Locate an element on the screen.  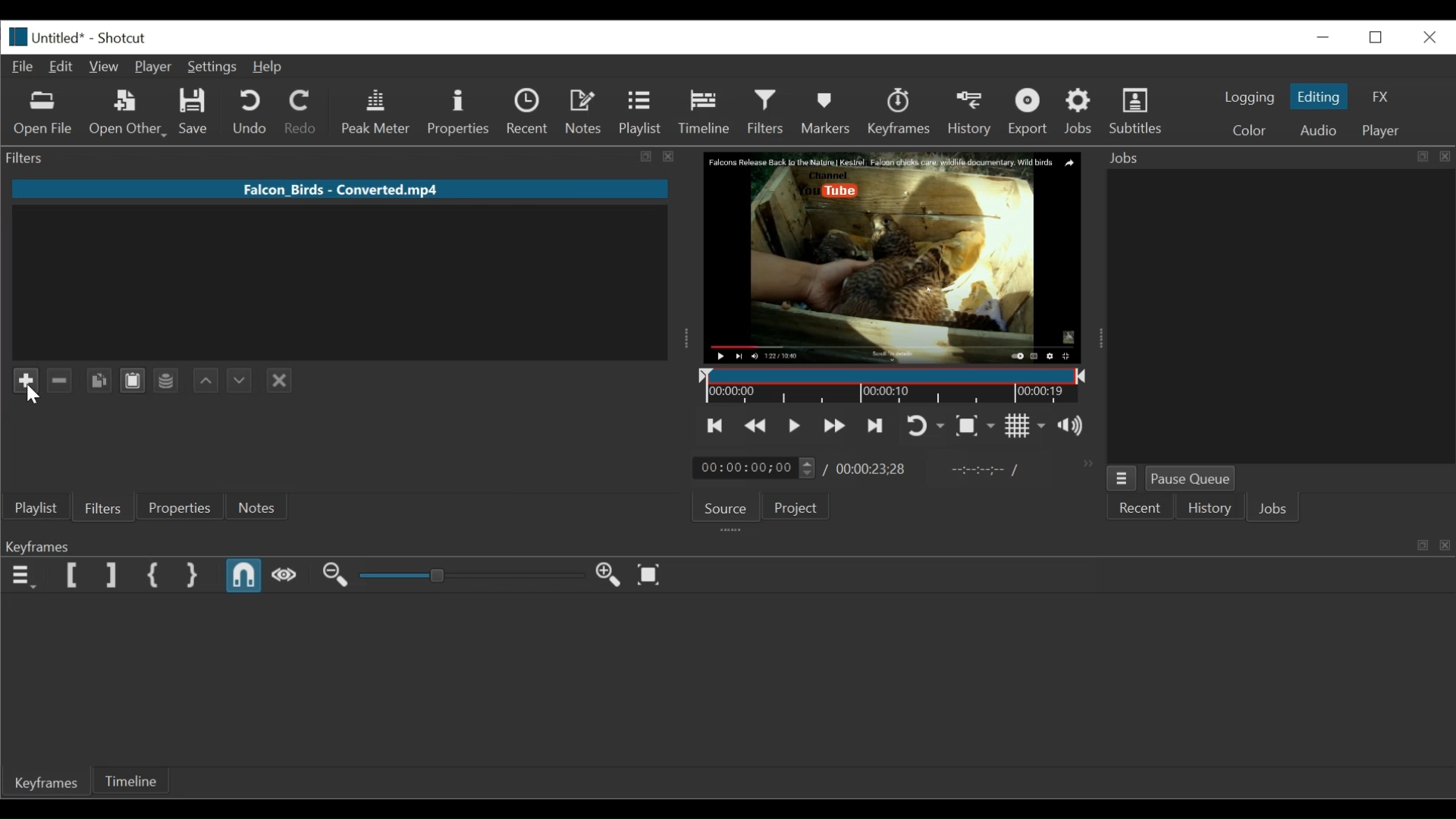
Export is located at coordinates (1029, 112).